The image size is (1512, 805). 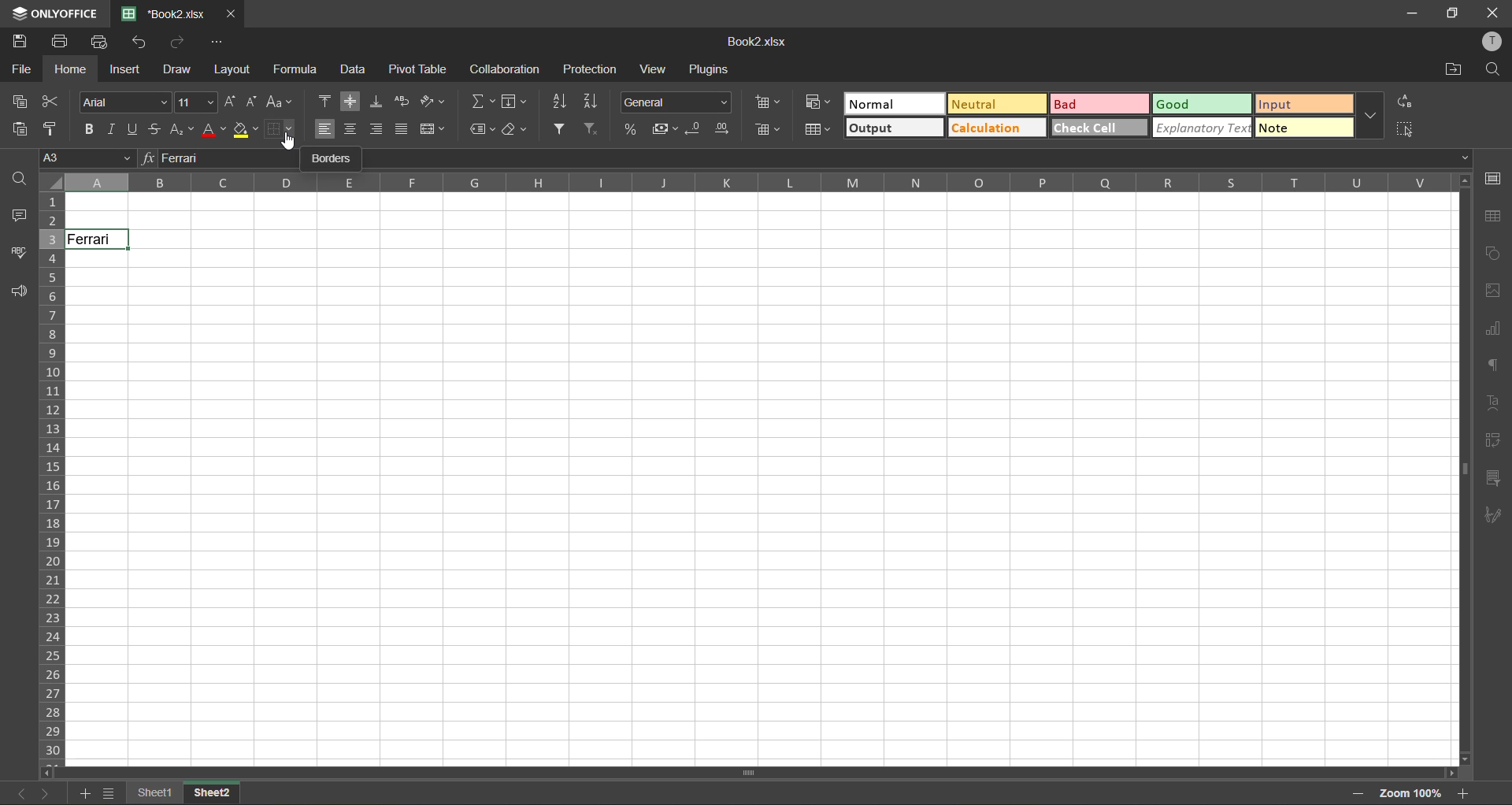 I want to click on summation, so click(x=480, y=102).